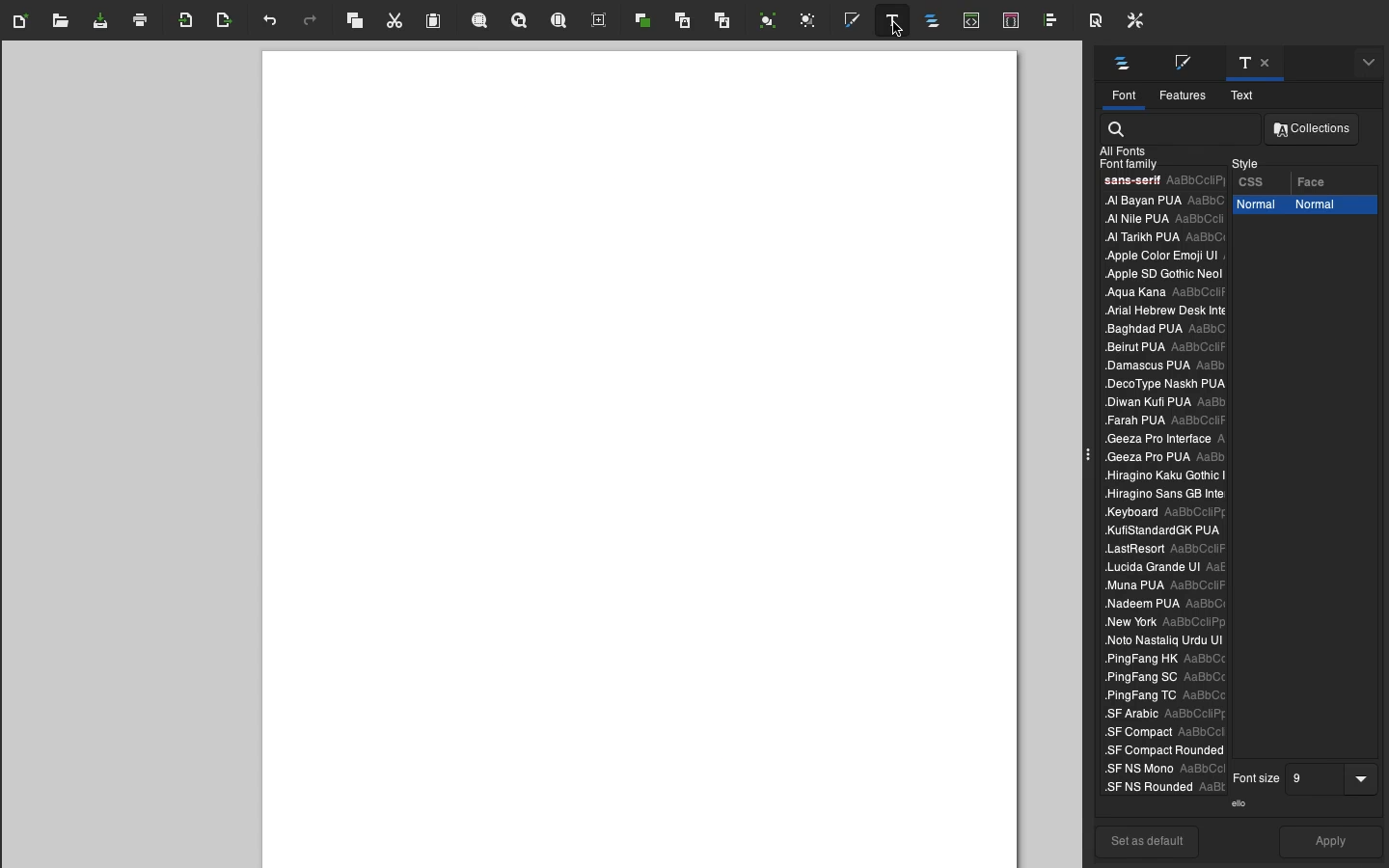  I want to click on .Geeza Pro Interface, so click(1164, 440).